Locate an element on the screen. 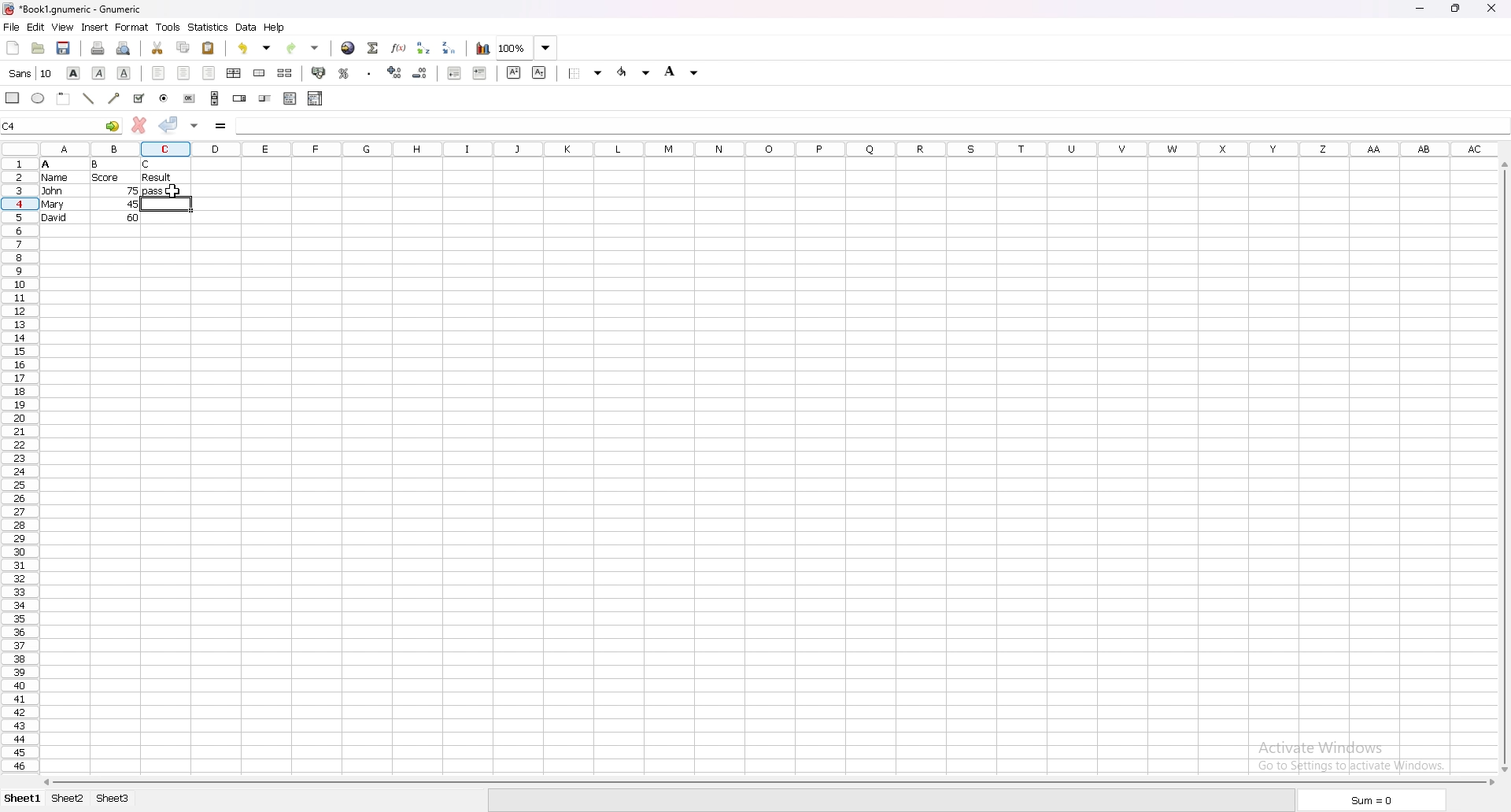 The height and width of the screenshot is (812, 1511). b is located at coordinates (95, 164).